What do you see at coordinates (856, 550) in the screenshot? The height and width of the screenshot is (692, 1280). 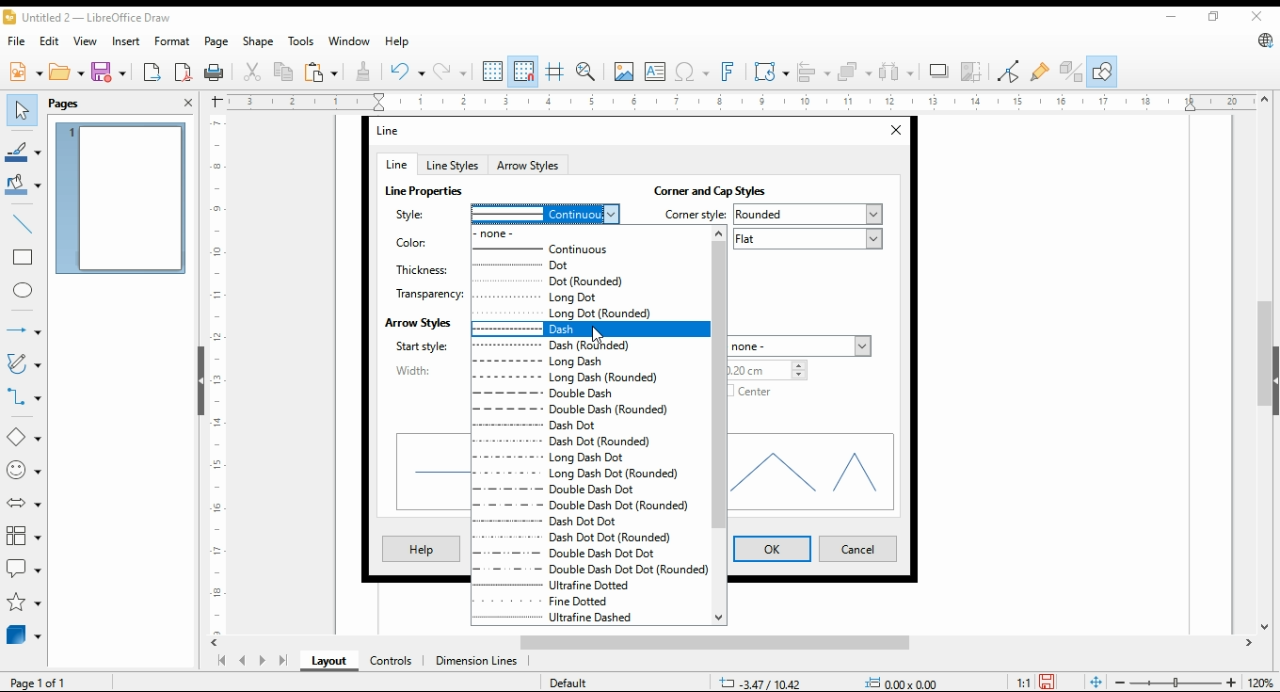 I see `cancel` at bounding box center [856, 550].